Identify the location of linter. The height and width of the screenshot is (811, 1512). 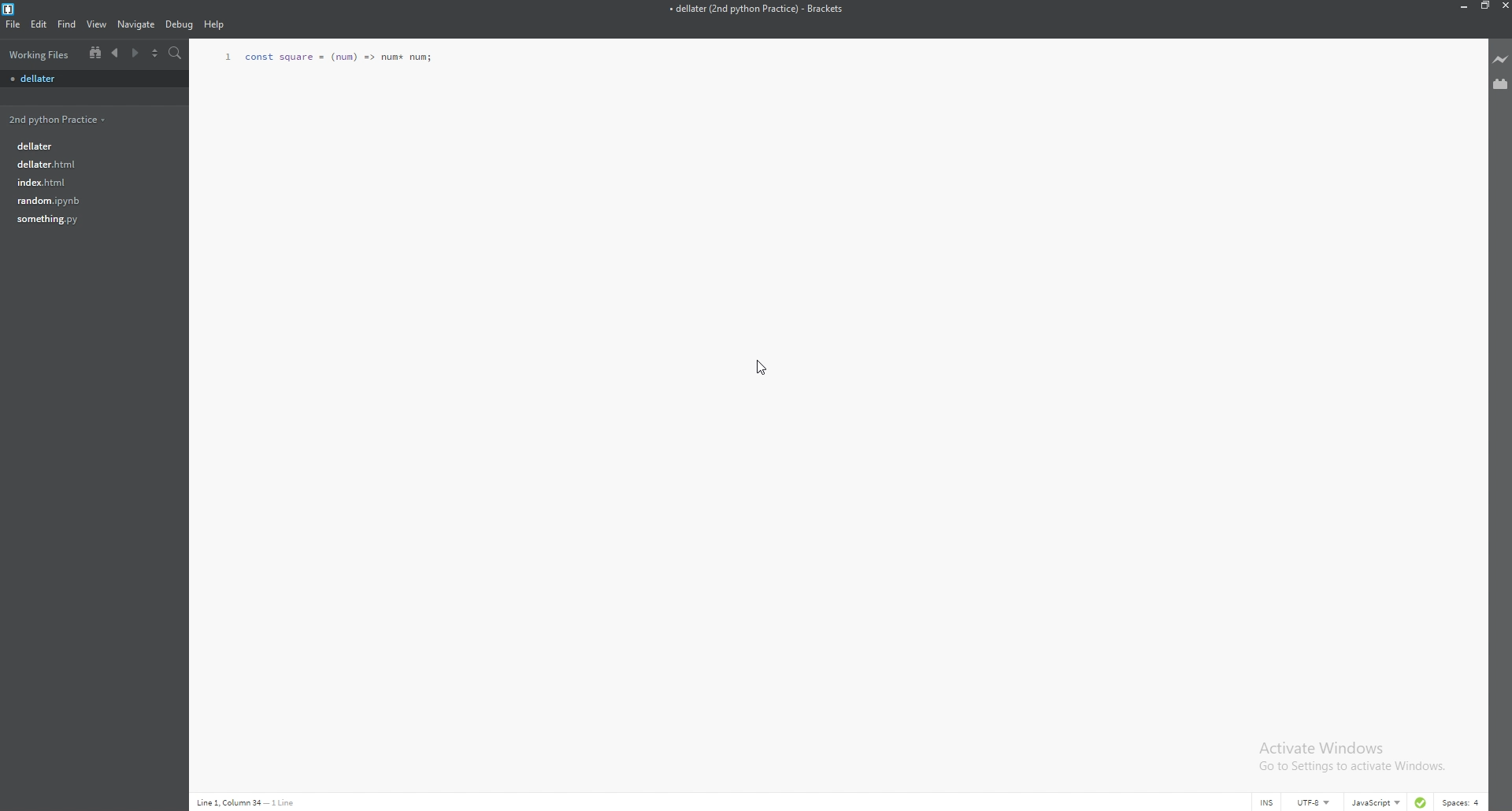
(1421, 803).